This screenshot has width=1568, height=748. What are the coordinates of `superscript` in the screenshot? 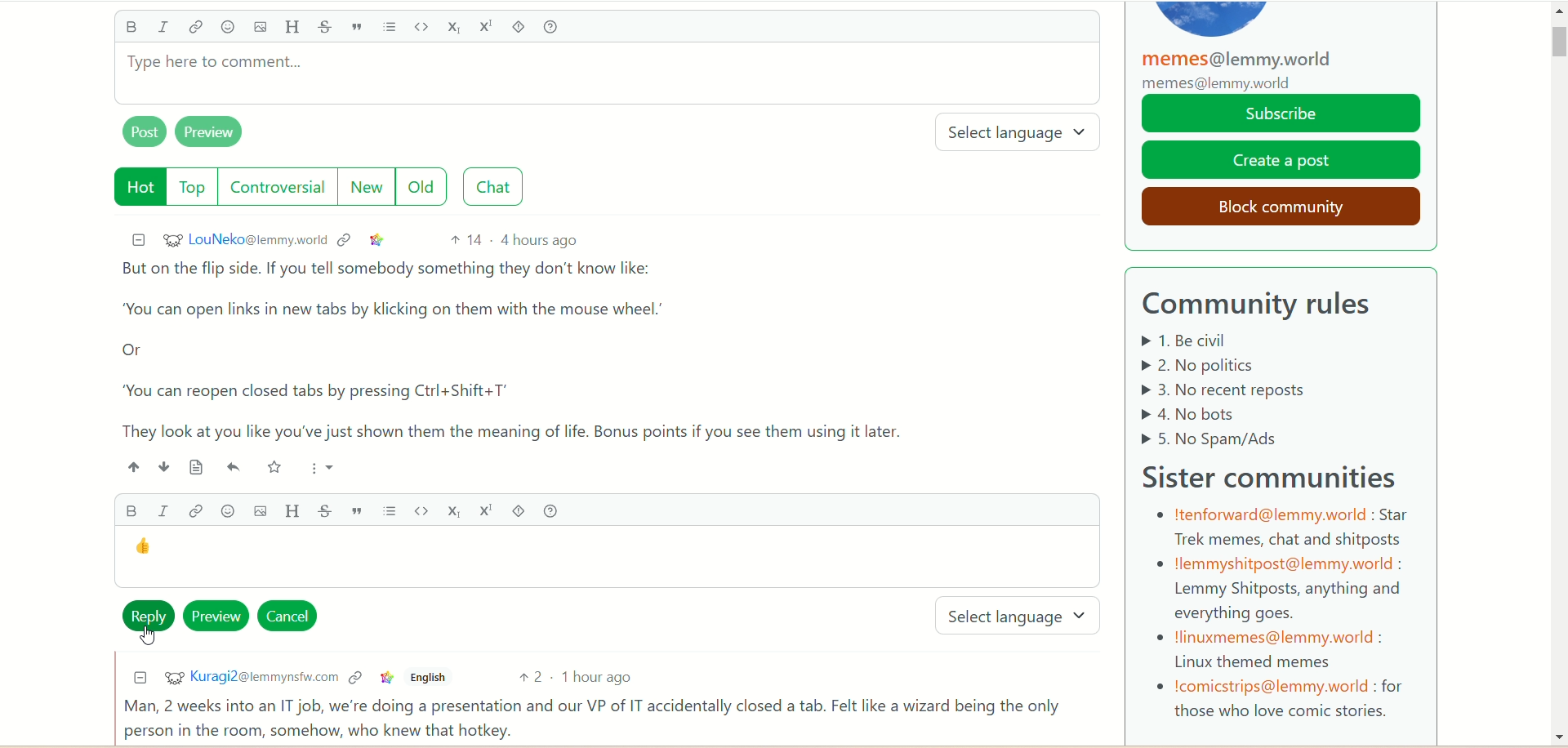 It's located at (487, 24).